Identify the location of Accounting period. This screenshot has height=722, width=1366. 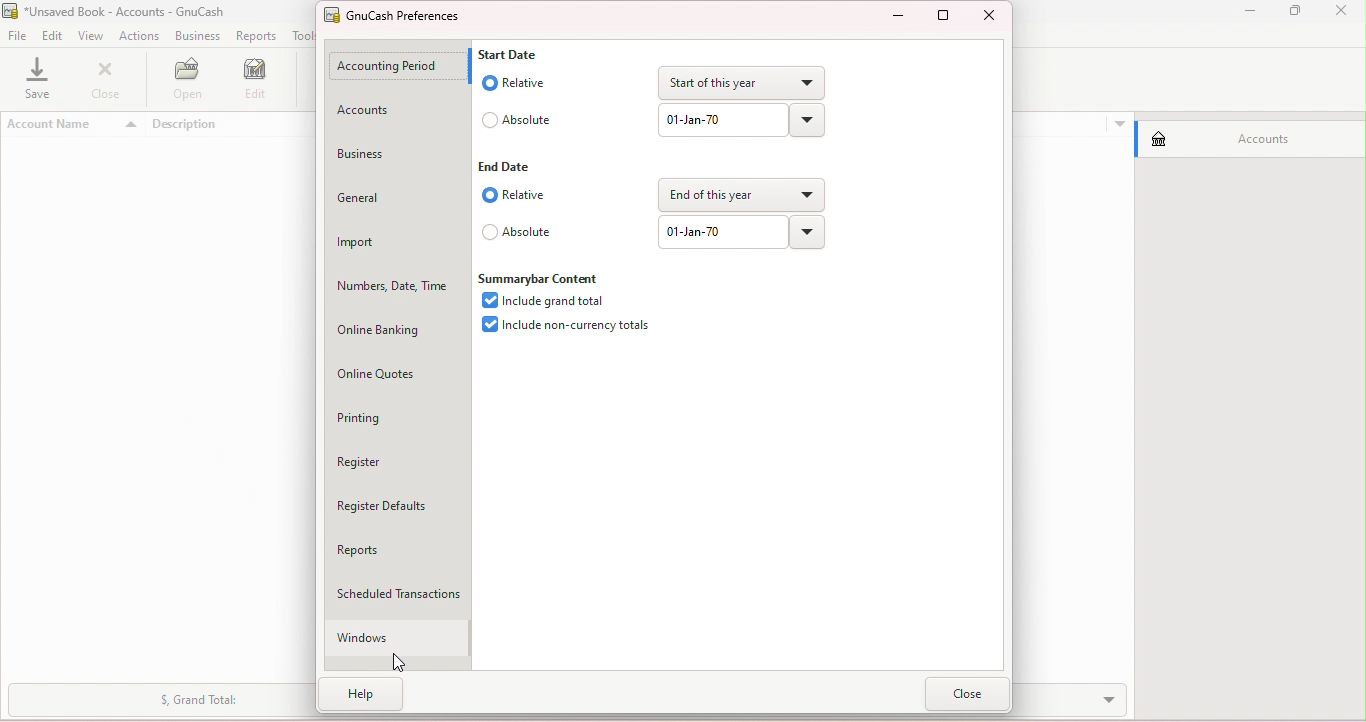
(390, 68).